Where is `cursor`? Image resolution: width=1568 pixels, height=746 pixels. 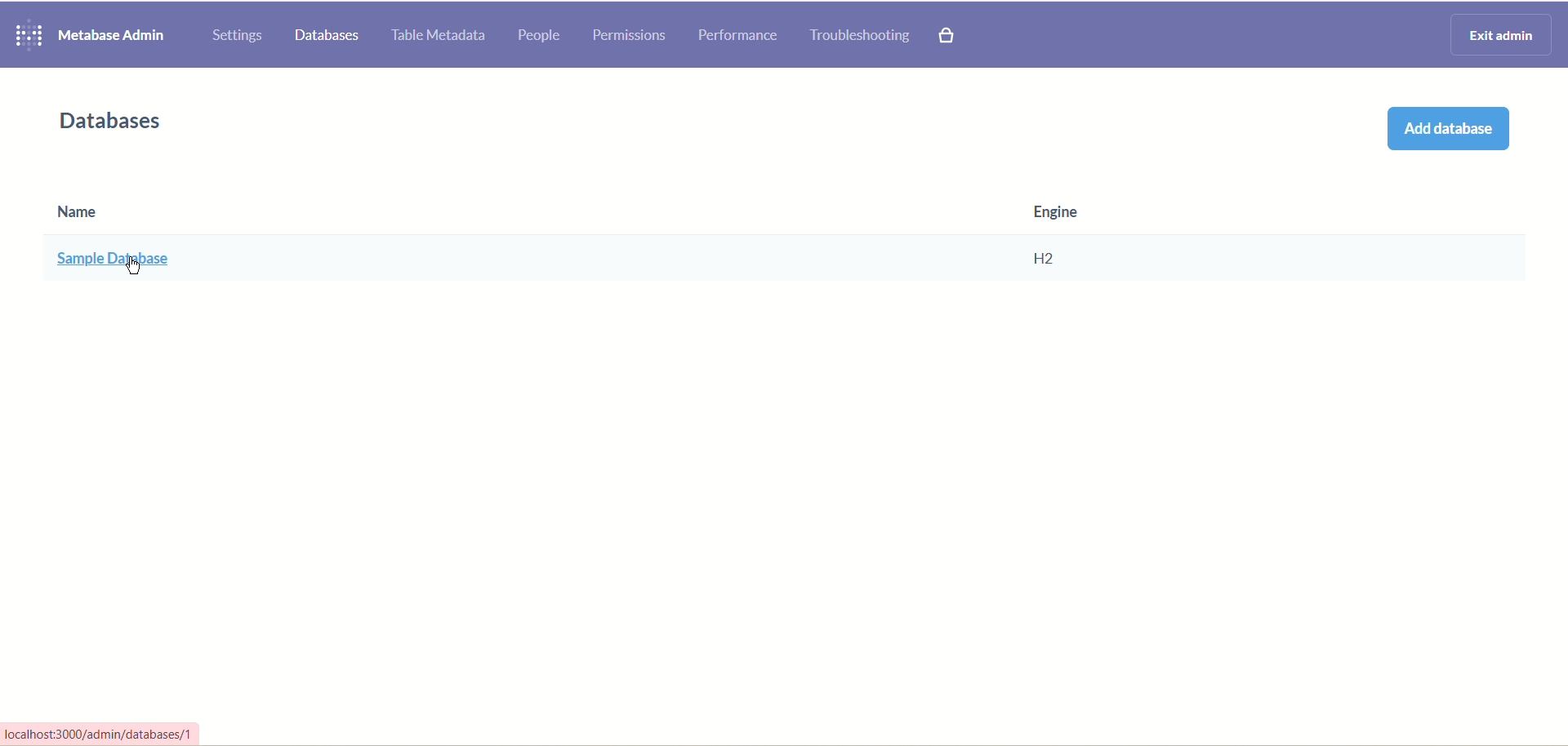 cursor is located at coordinates (130, 266).